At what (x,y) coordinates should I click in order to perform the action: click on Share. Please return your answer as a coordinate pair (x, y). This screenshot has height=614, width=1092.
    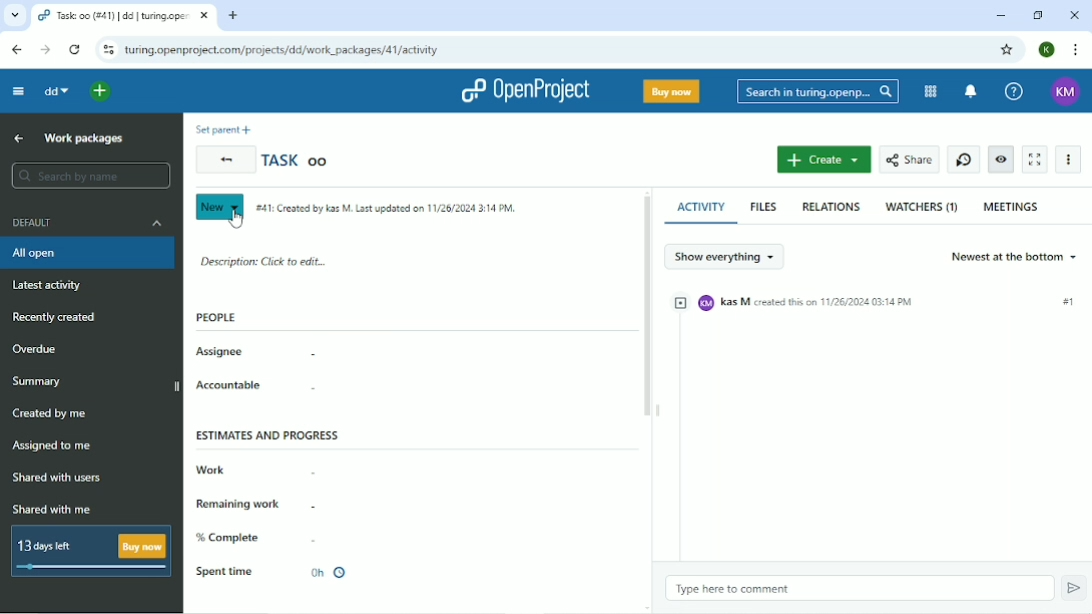
    Looking at the image, I should click on (909, 161).